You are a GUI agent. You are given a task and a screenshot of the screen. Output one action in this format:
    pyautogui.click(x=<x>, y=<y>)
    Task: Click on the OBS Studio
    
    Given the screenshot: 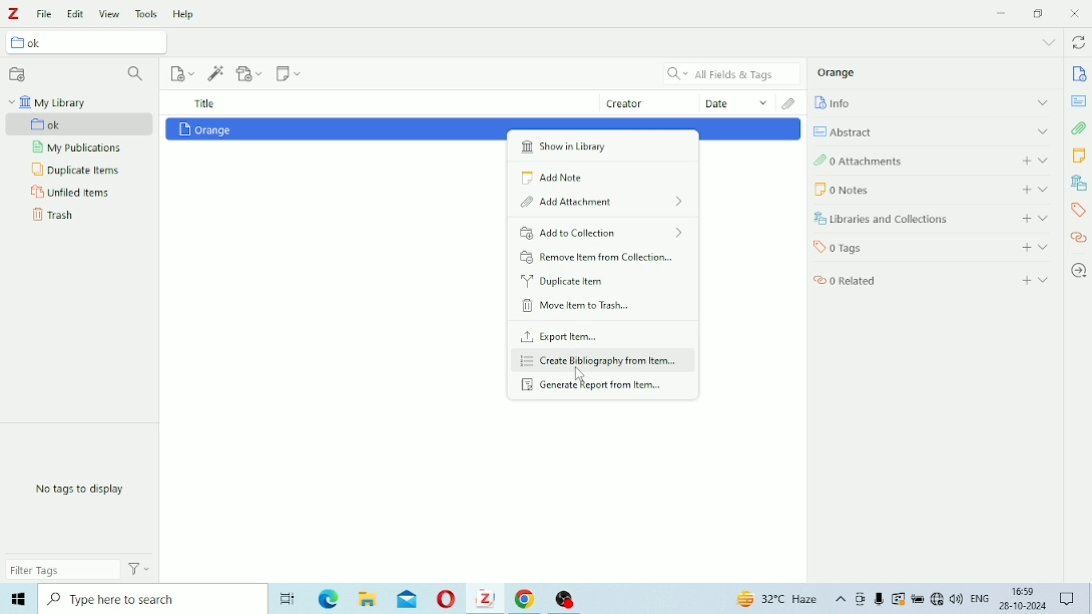 What is the action you would take?
    pyautogui.click(x=566, y=600)
    